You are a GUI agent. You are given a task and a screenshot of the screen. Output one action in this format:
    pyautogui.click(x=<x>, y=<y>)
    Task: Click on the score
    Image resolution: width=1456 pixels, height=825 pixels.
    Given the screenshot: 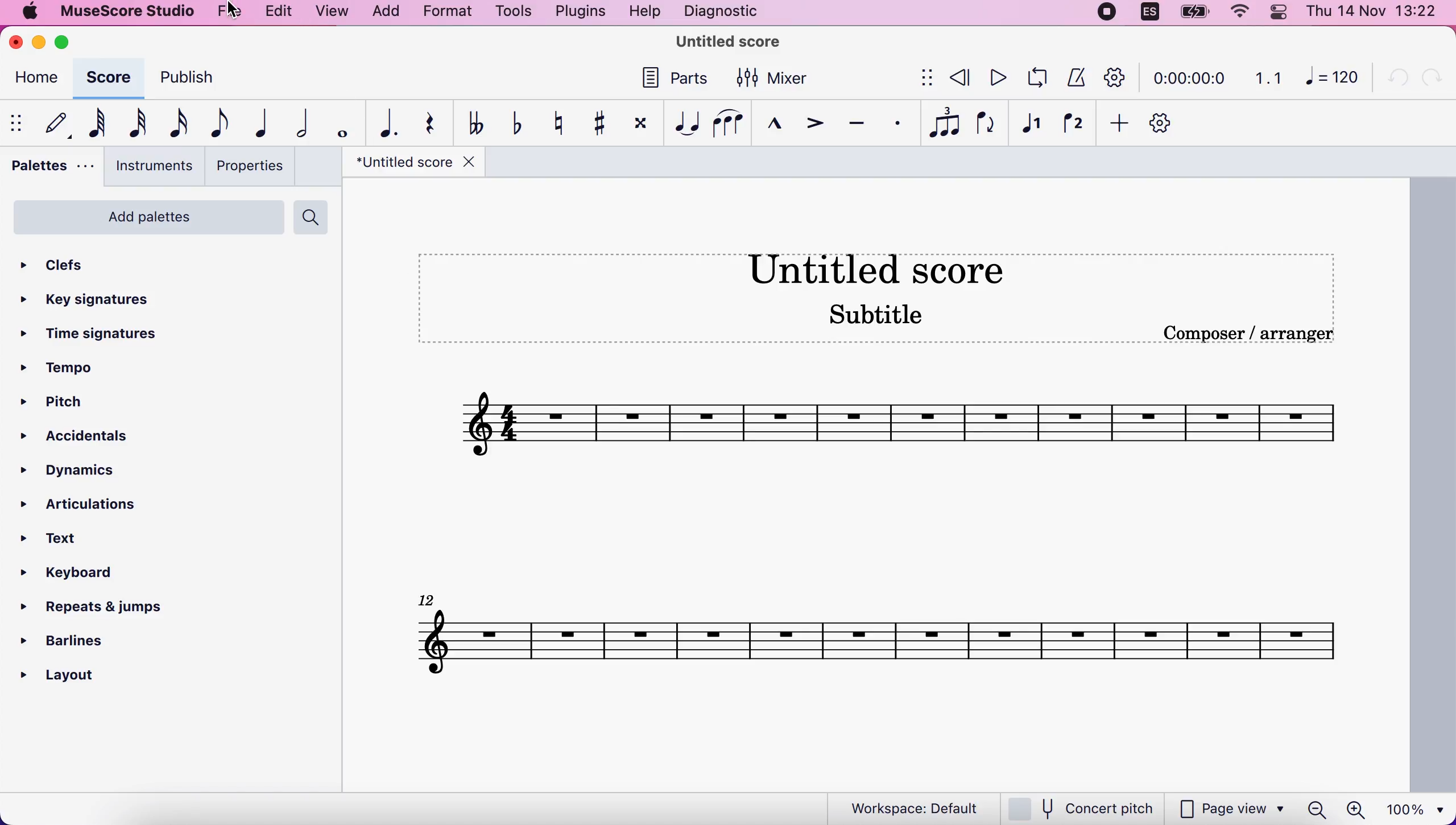 What is the action you would take?
    pyautogui.click(x=887, y=646)
    